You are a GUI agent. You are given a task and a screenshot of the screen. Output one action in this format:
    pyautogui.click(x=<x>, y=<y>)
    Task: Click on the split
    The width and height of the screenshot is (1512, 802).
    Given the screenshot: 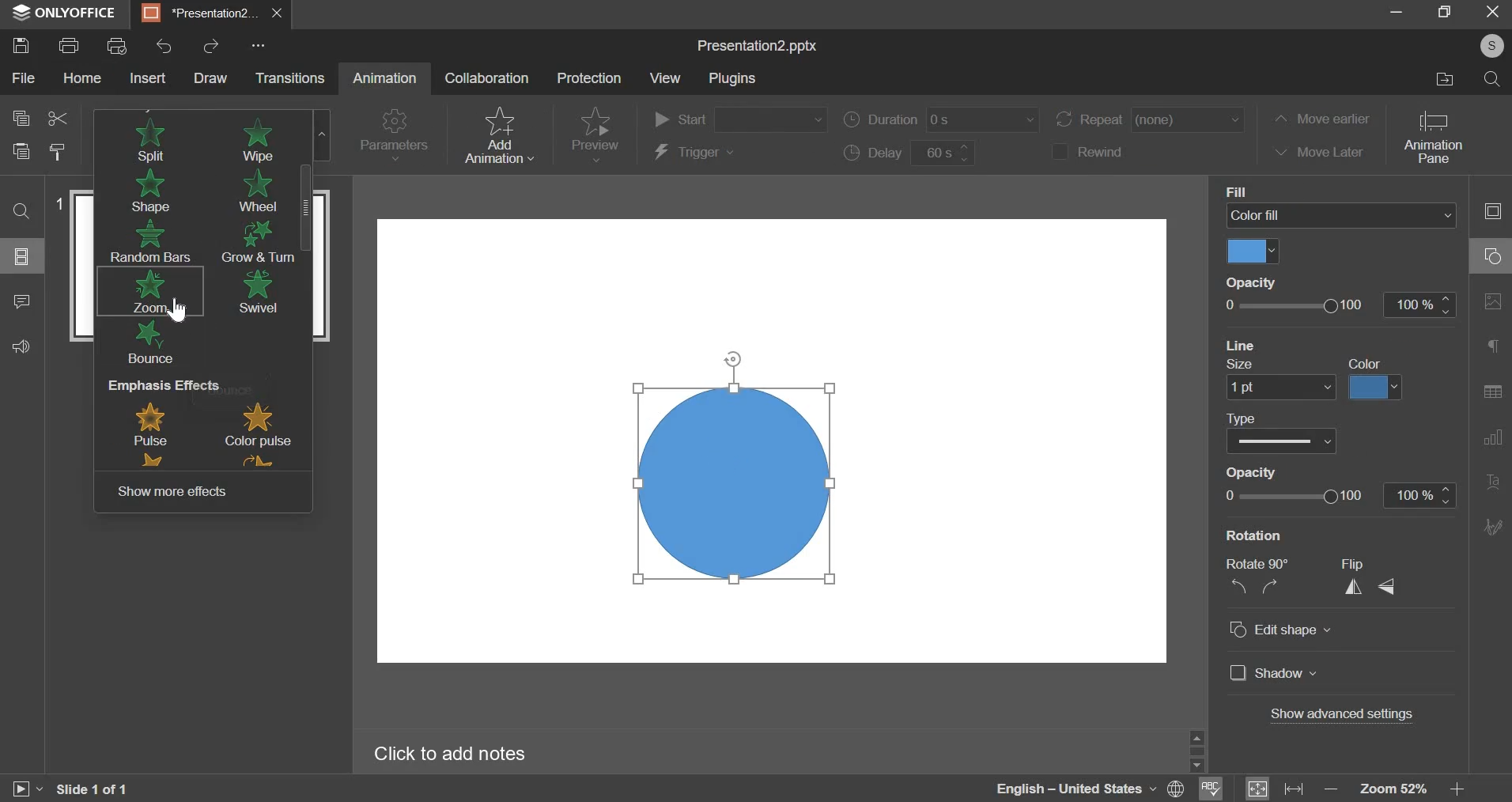 What is the action you would take?
    pyautogui.click(x=150, y=144)
    